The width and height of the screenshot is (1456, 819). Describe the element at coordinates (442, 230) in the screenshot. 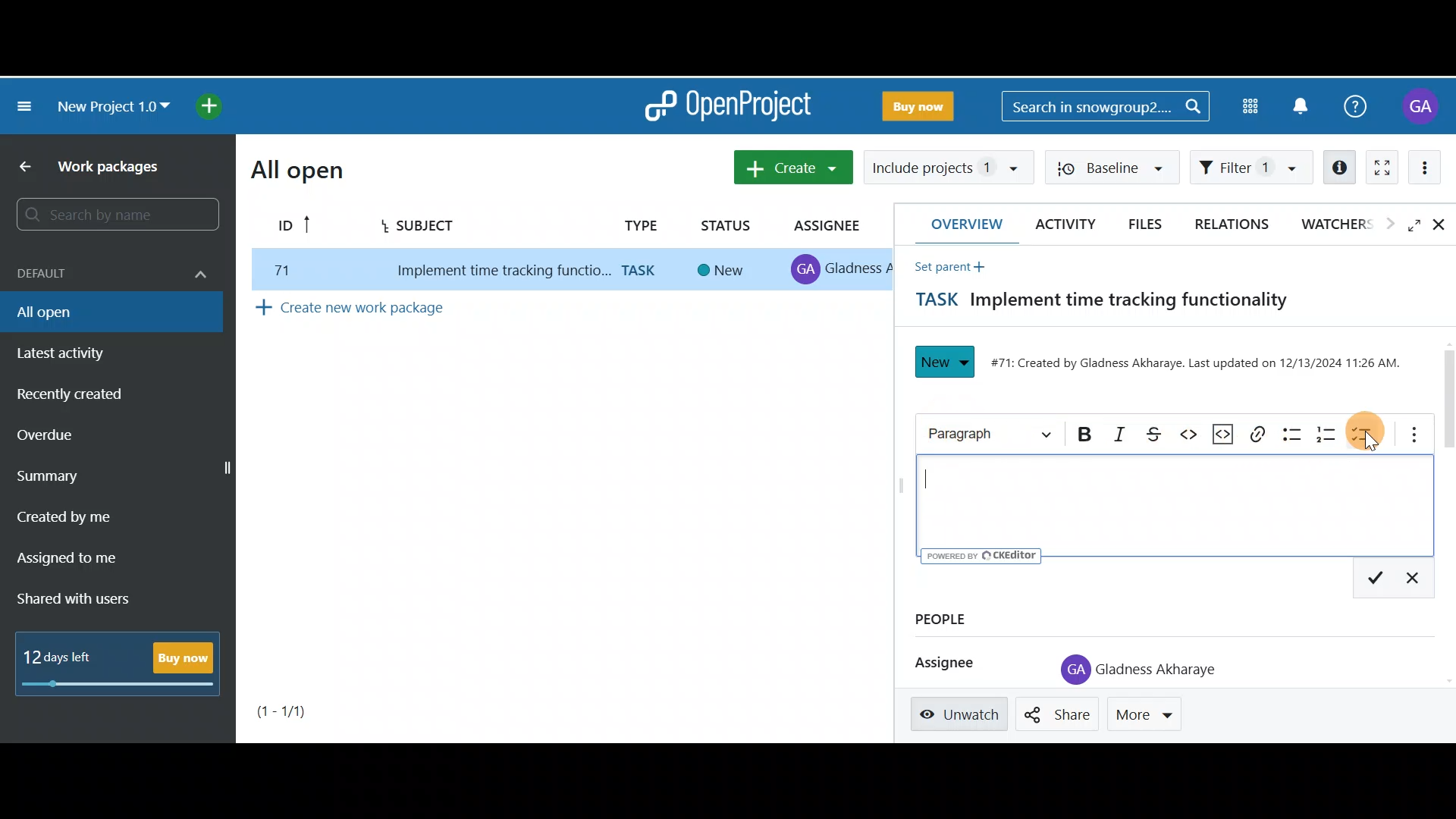

I see `Subject` at that location.